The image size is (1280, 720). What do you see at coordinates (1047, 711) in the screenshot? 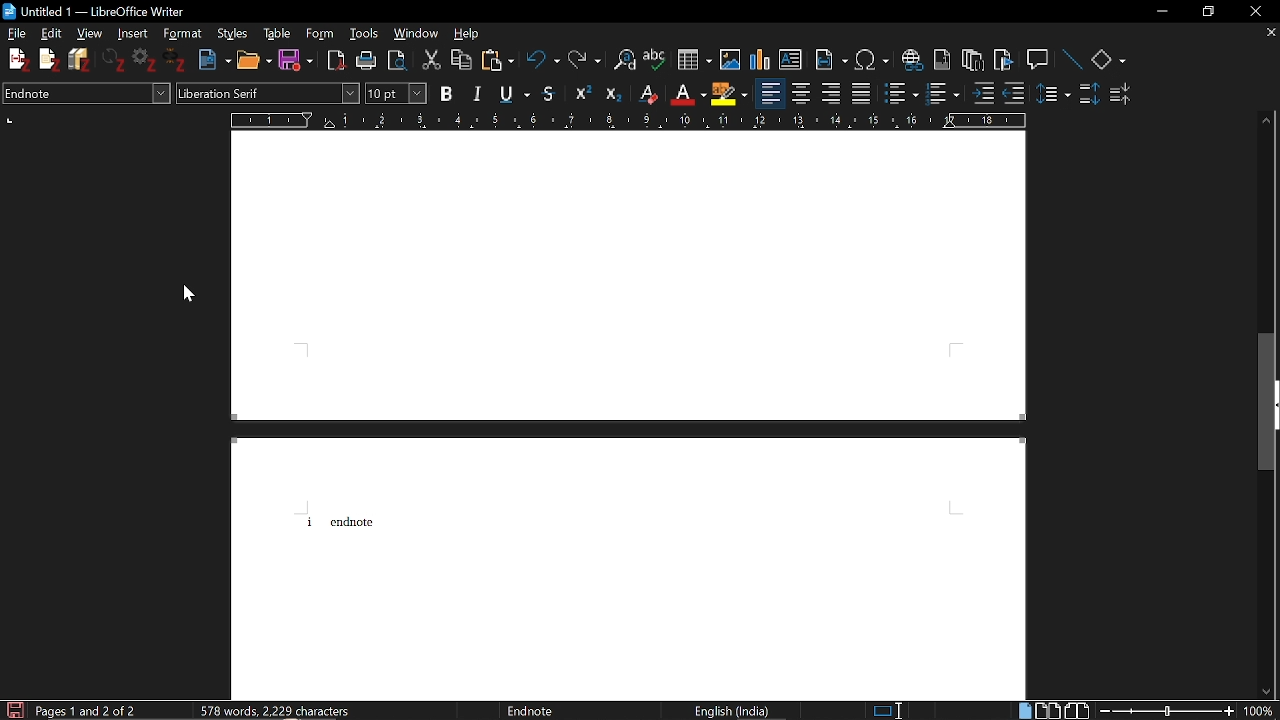
I see `Double page view` at bounding box center [1047, 711].